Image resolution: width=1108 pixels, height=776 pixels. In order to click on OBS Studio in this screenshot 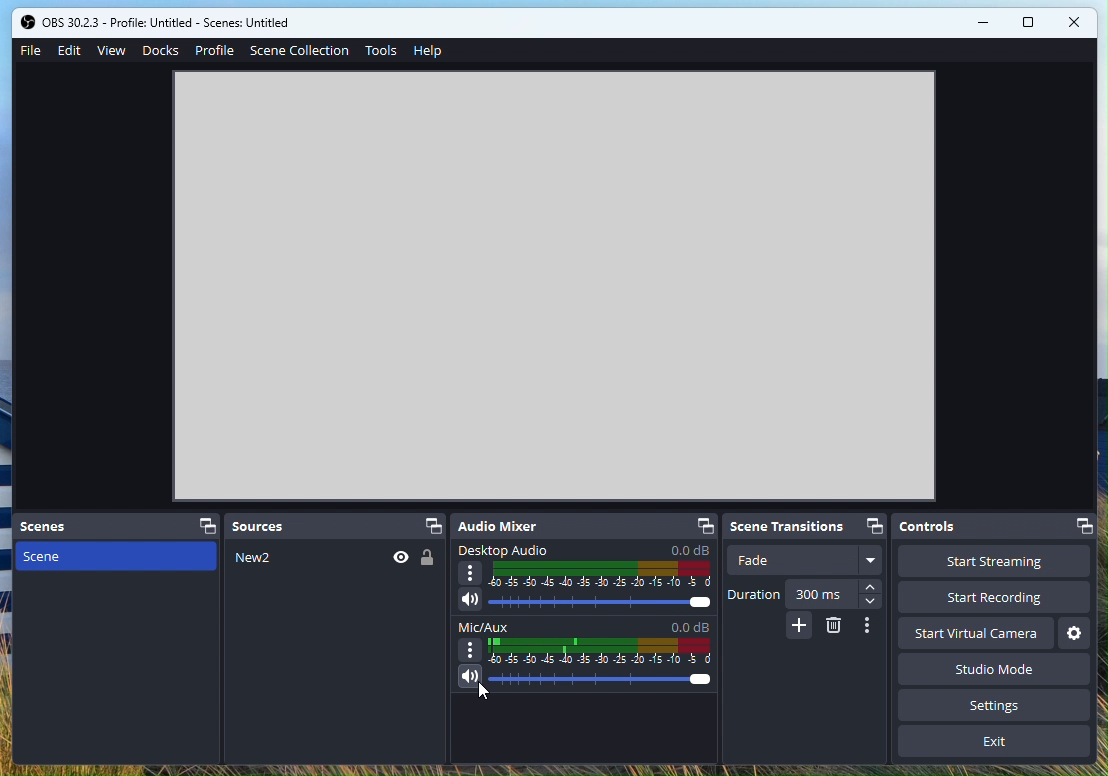, I will do `click(160, 22)`.